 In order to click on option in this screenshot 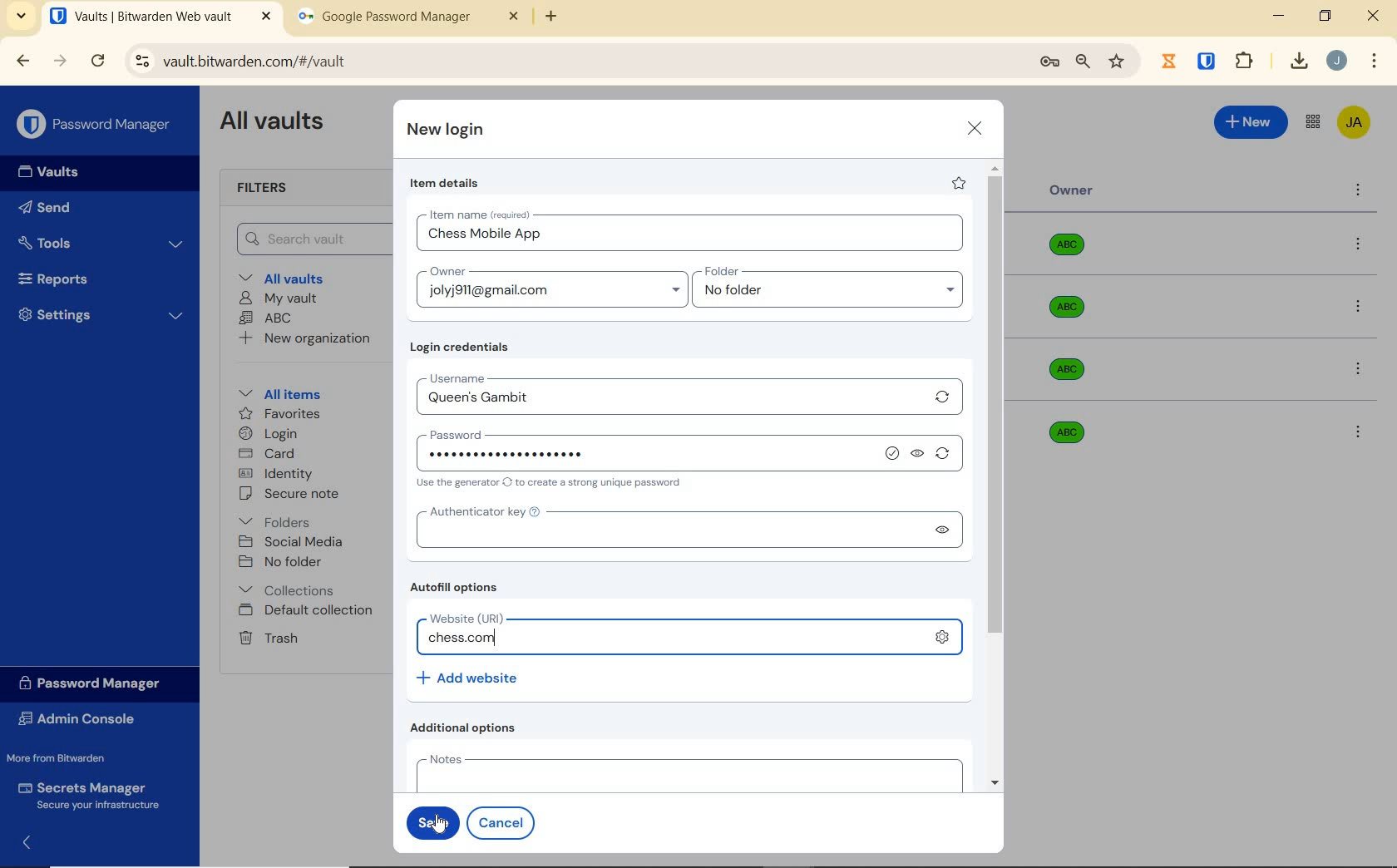, I will do `click(1361, 245)`.